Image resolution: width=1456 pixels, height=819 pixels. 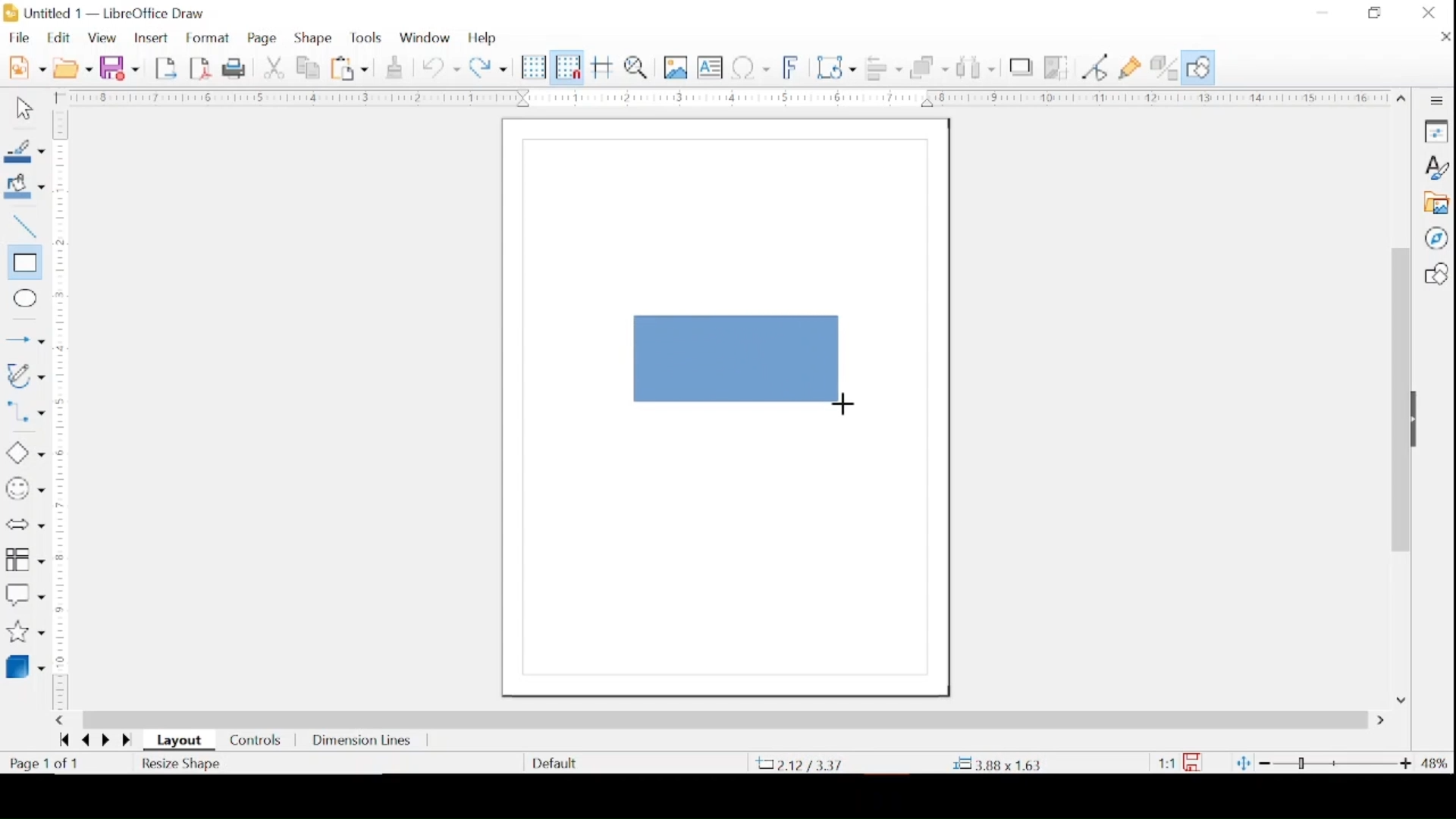 What do you see at coordinates (1442, 36) in the screenshot?
I see `close` at bounding box center [1442, 36].